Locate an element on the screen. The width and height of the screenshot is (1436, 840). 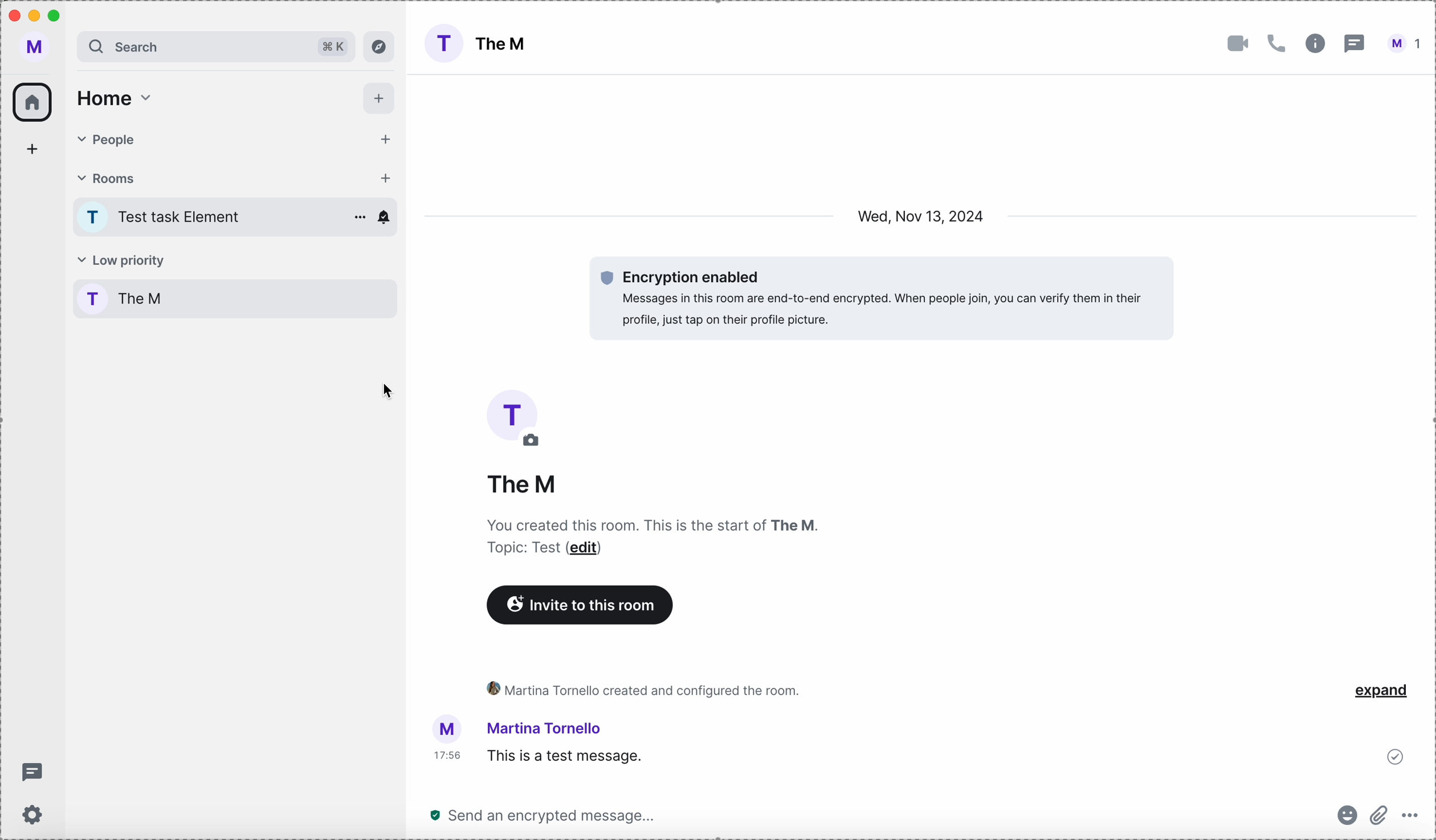
activity room is located at coordinates (643, 687).